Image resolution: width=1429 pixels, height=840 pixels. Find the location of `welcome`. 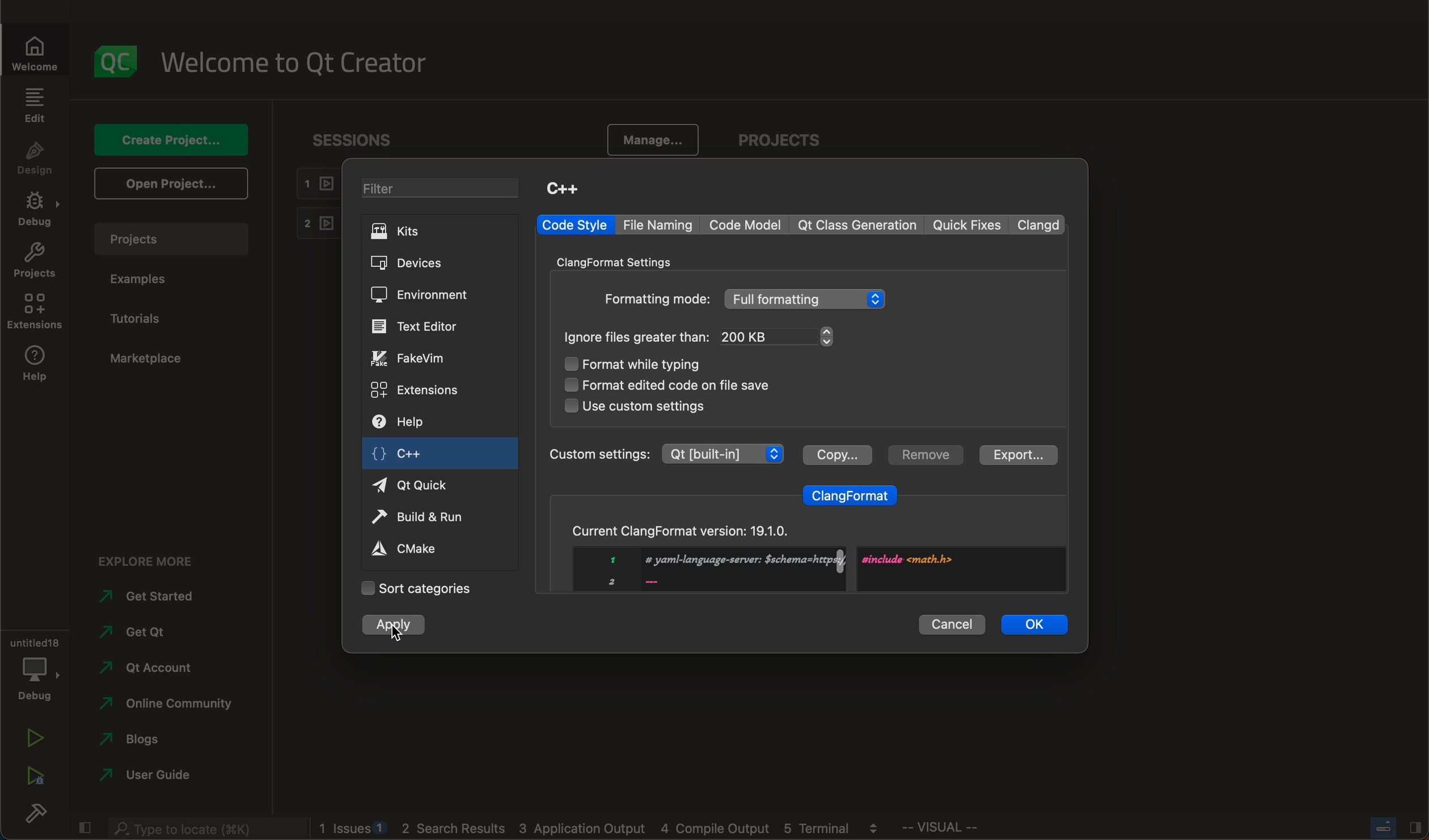

welcome is located at coordinates (302, 61).